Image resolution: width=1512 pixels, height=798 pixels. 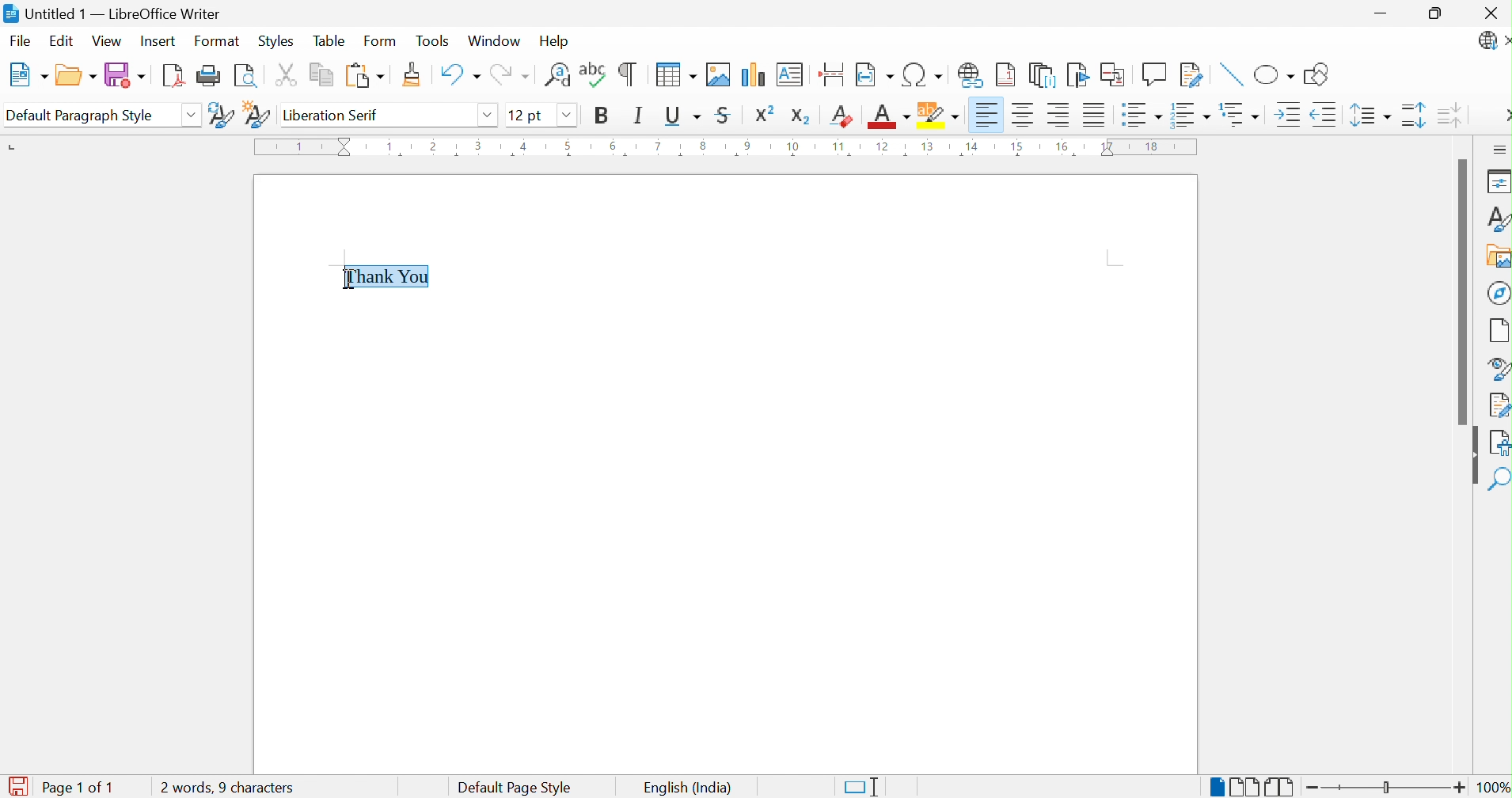 What do you see at coordinates (1382, 13) in the screenshot?
I see `Minimize` at bounding box center [1382, 13].